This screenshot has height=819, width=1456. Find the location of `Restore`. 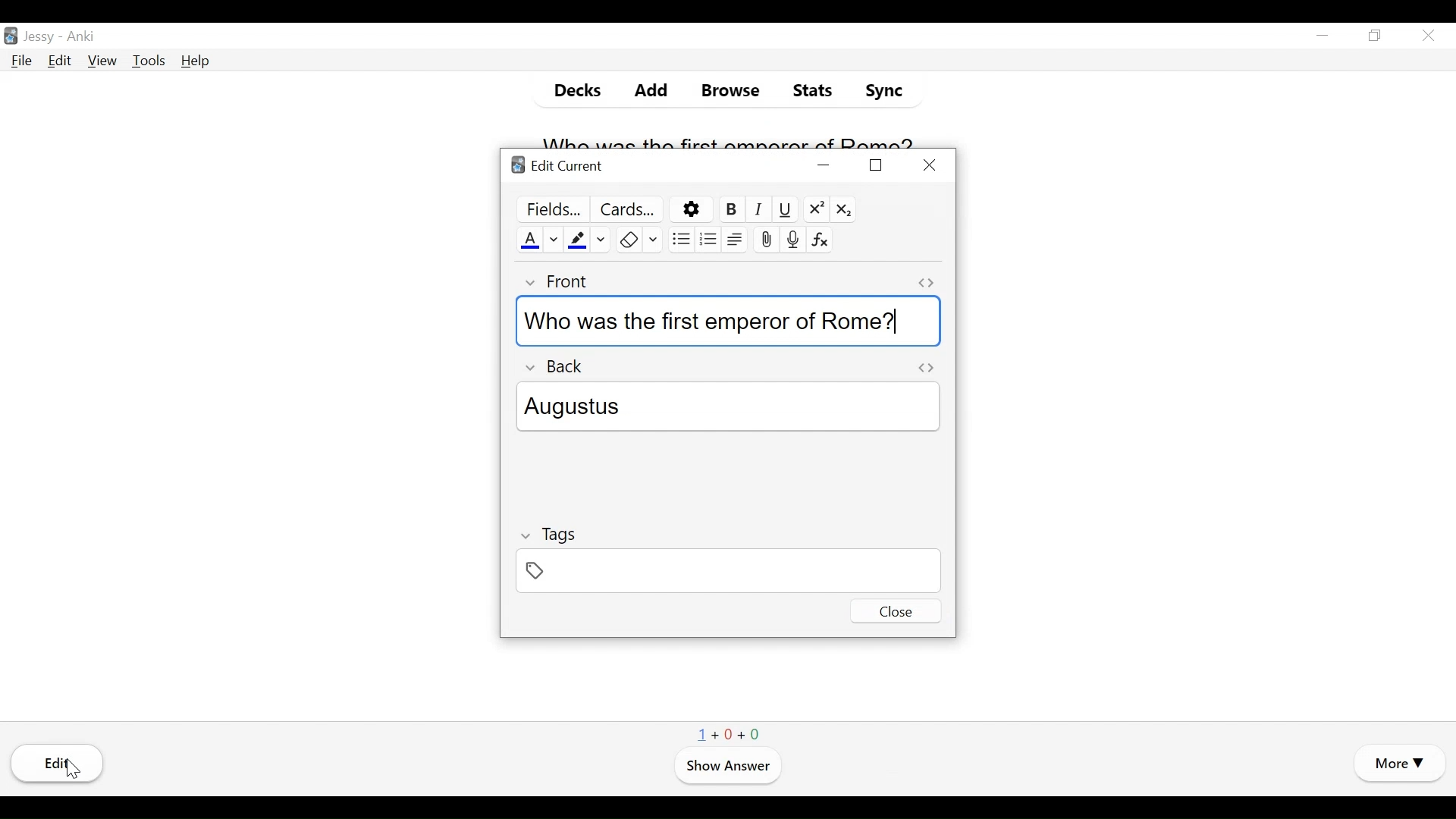

Restore is located at coordinates (1376, 36).